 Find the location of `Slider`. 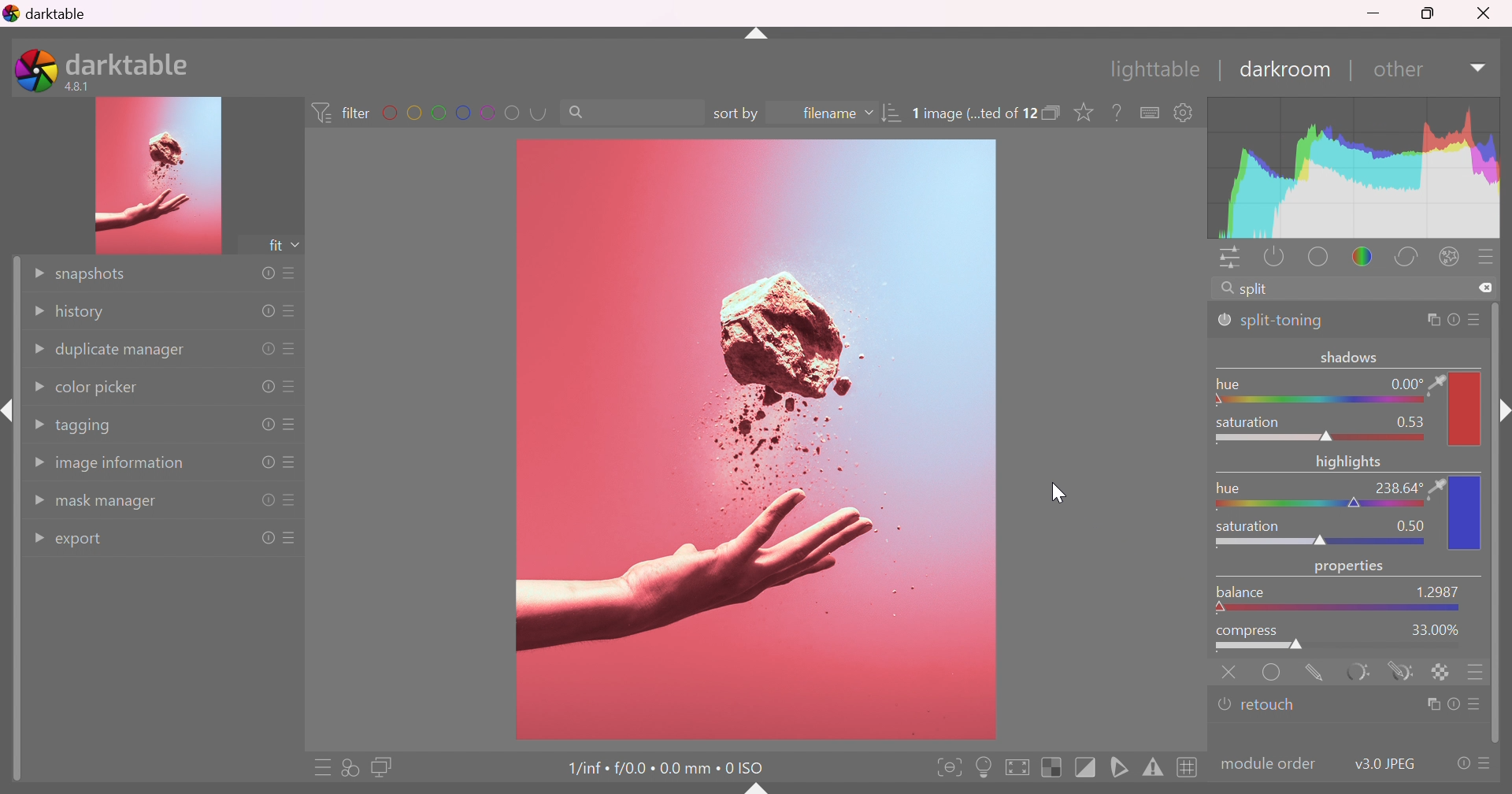

Slider is located at coordinates (1325, 401).